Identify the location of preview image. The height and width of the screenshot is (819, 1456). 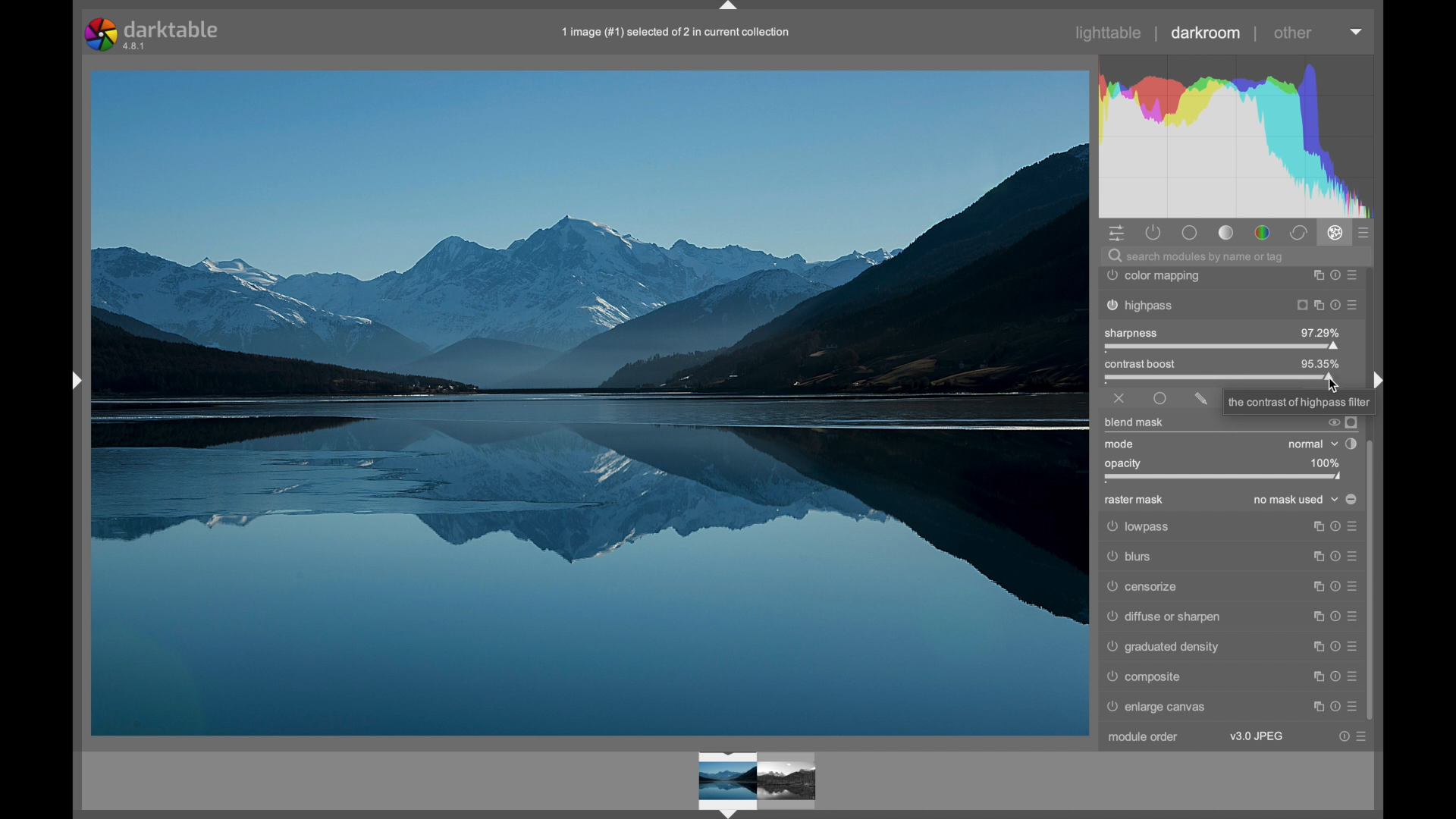
(763, 780).